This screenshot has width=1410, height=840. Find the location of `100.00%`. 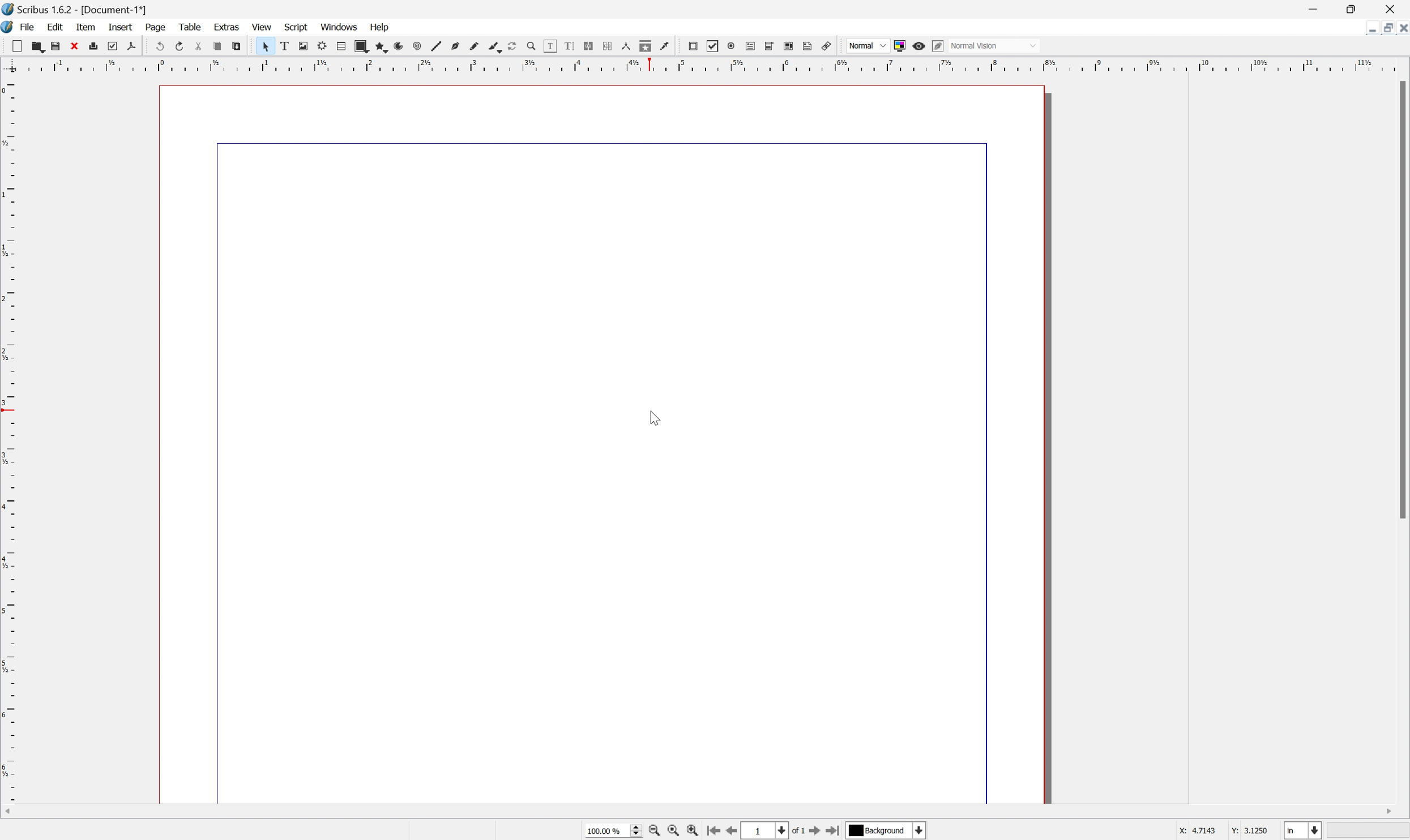

100.00% is located at coordinates (615, 831).